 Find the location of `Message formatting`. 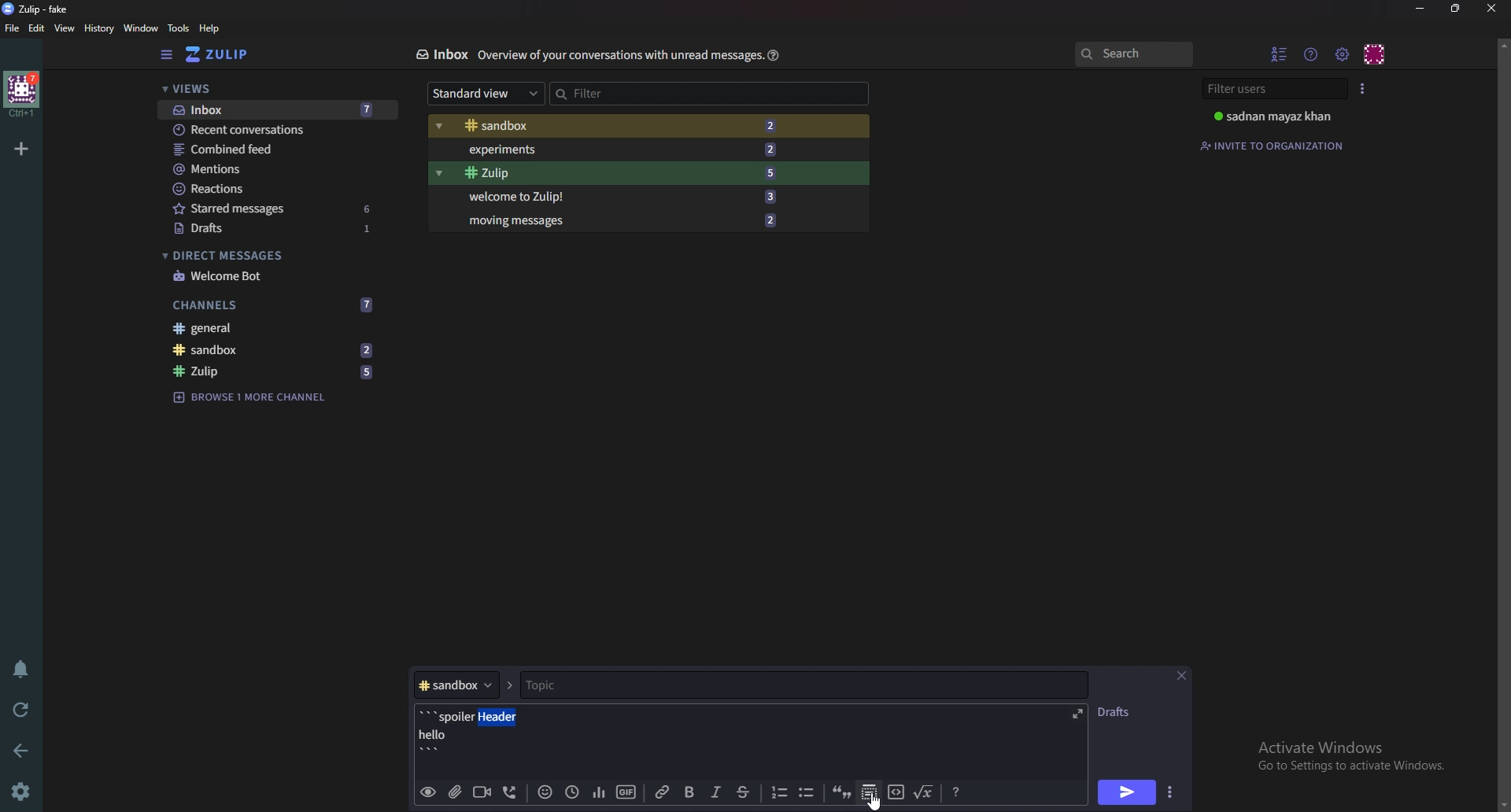

Message formatting is located at coordinates (956, 790).